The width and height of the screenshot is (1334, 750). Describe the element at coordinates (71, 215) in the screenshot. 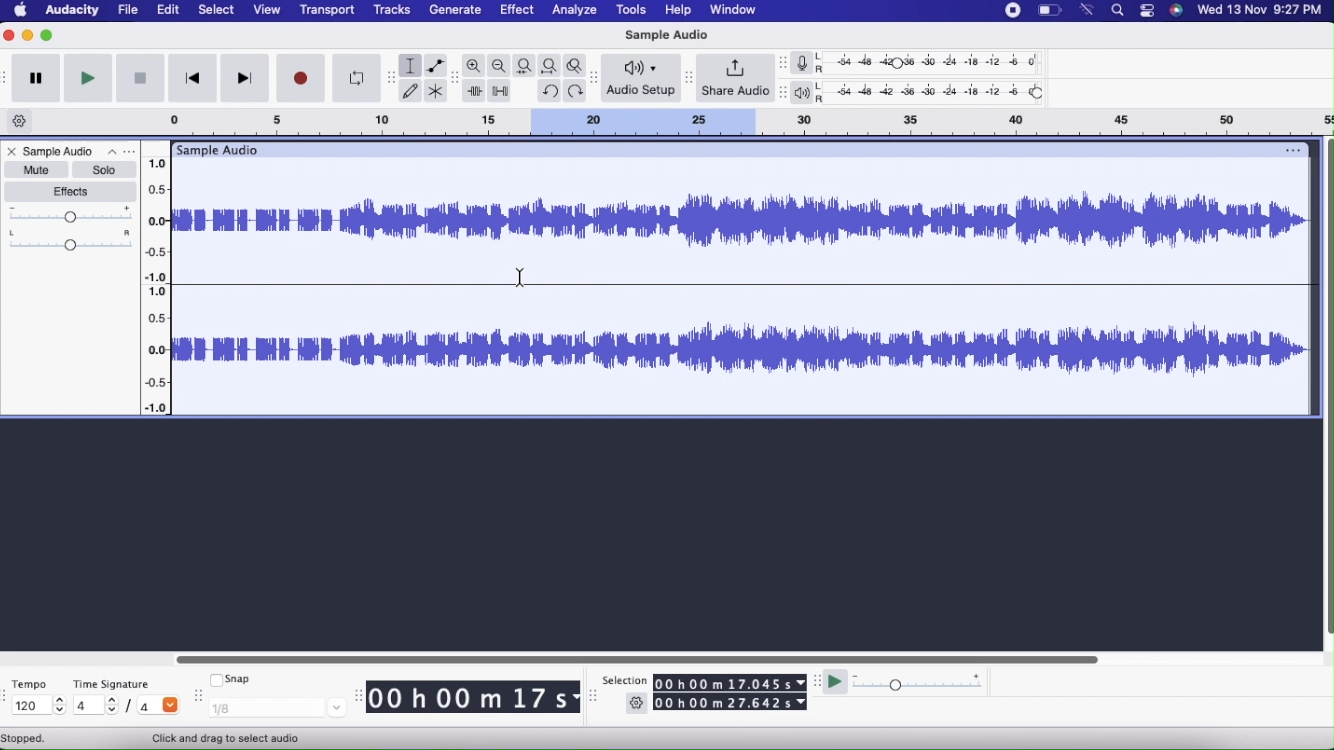

I see `Gain Slider` at that location.